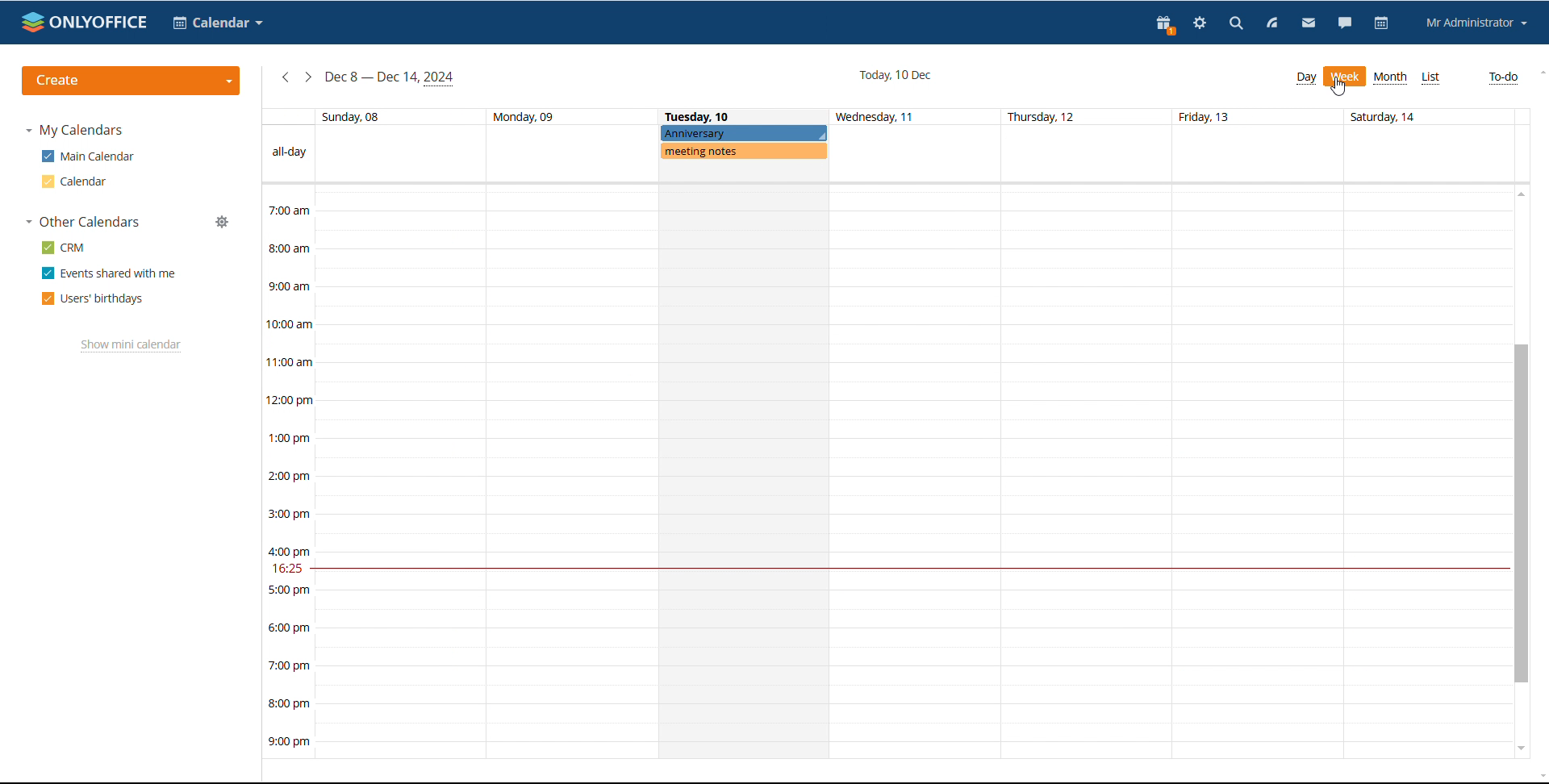  I want to click on manage, so click(223, 222).